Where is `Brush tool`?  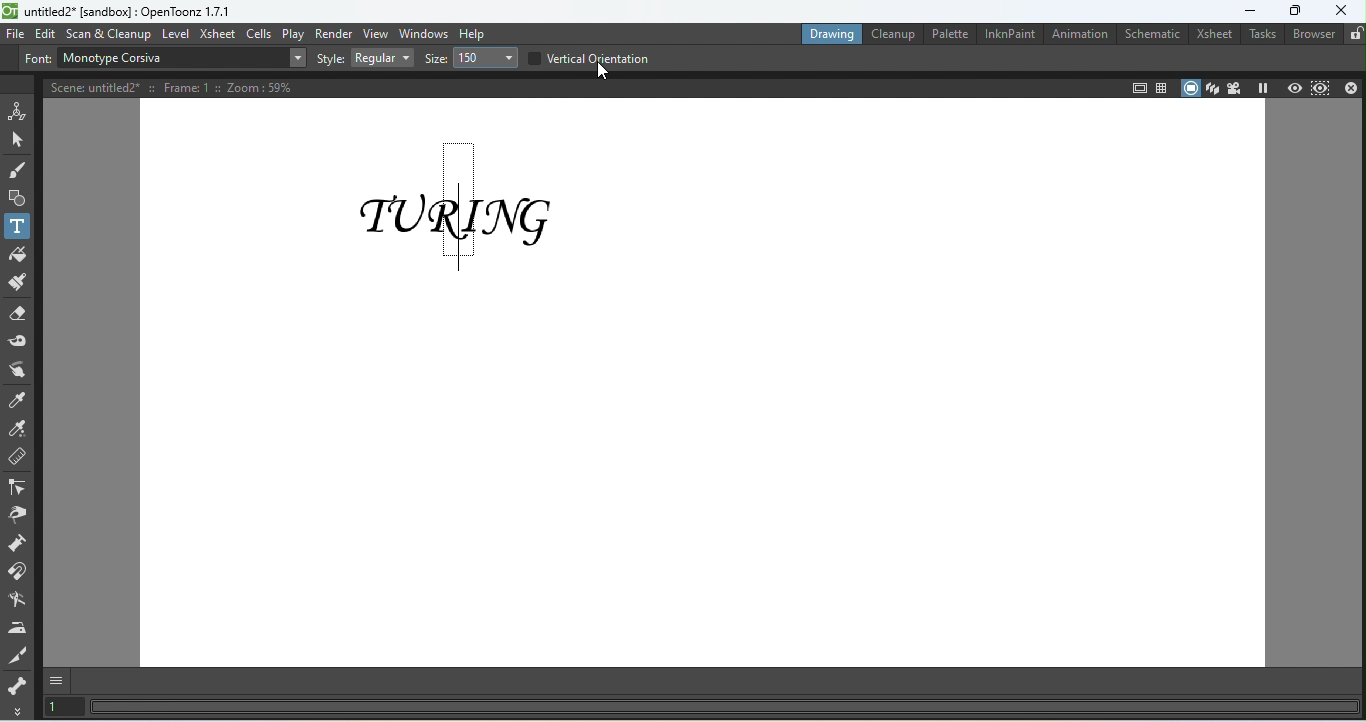 Brush tool is located at coordinates (20, 171).